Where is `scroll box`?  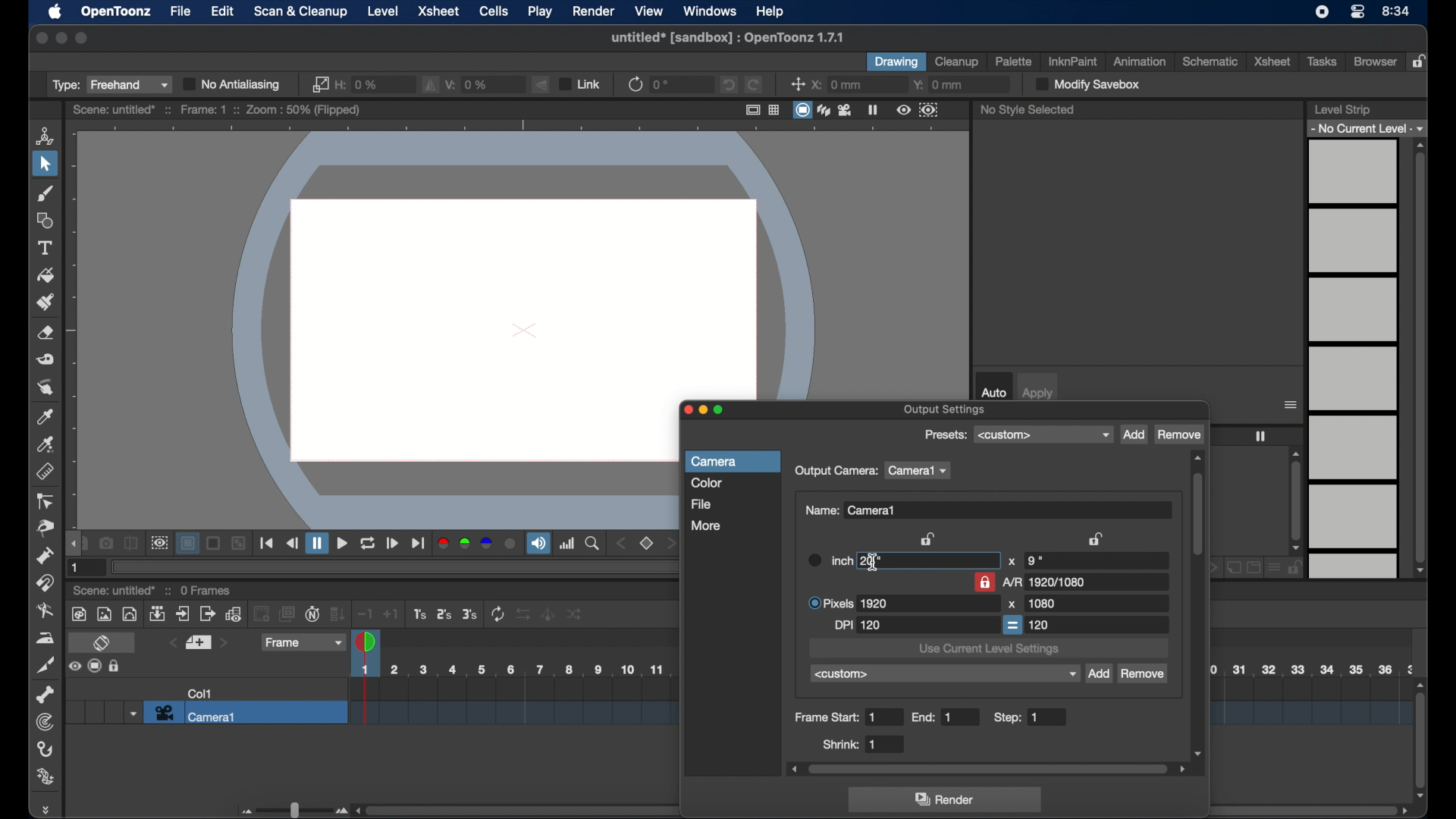
scroll box is located at coordinates (1420, 358).